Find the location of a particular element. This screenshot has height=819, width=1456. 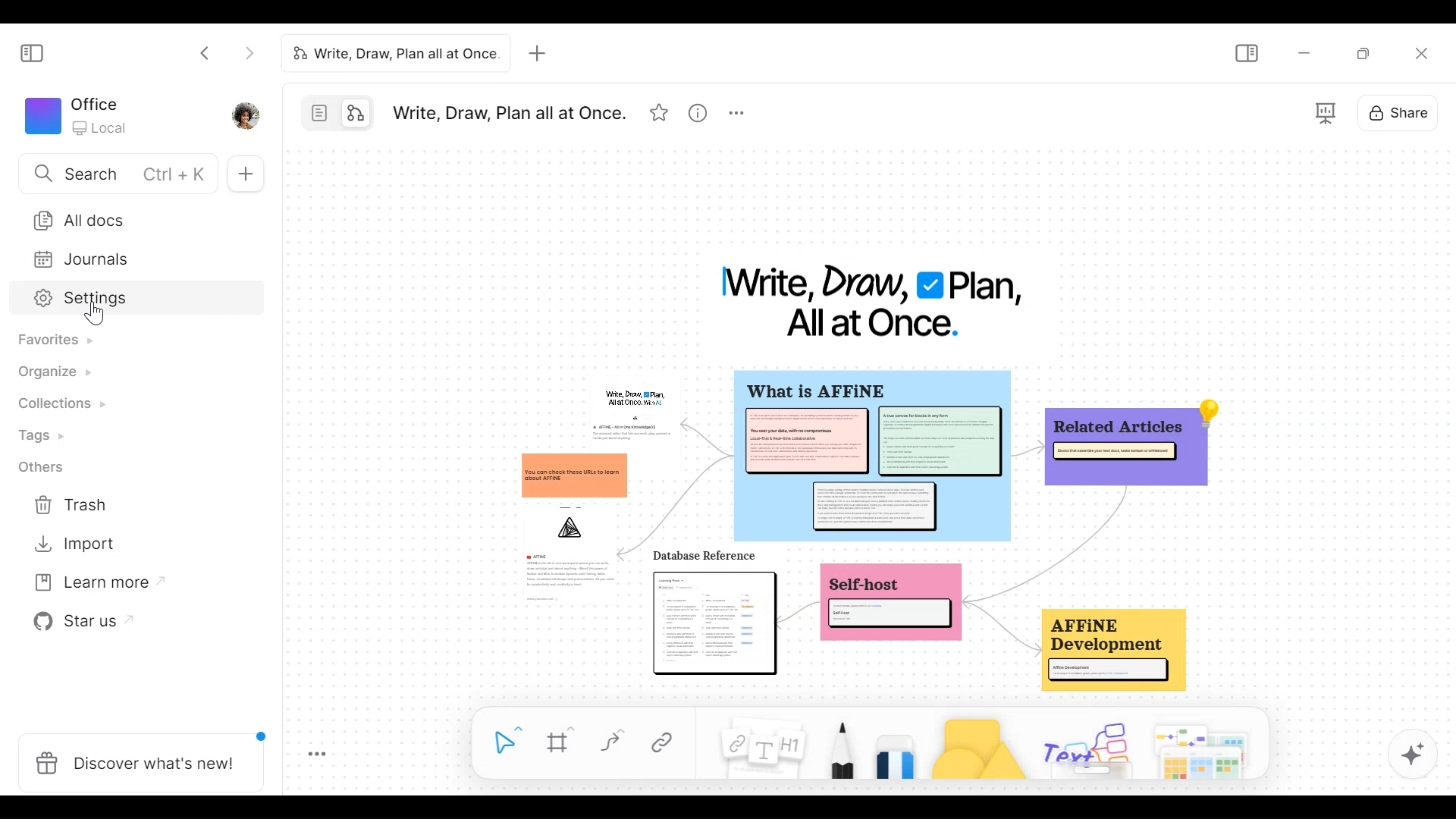

Organize is located at coordinates (53, 373).